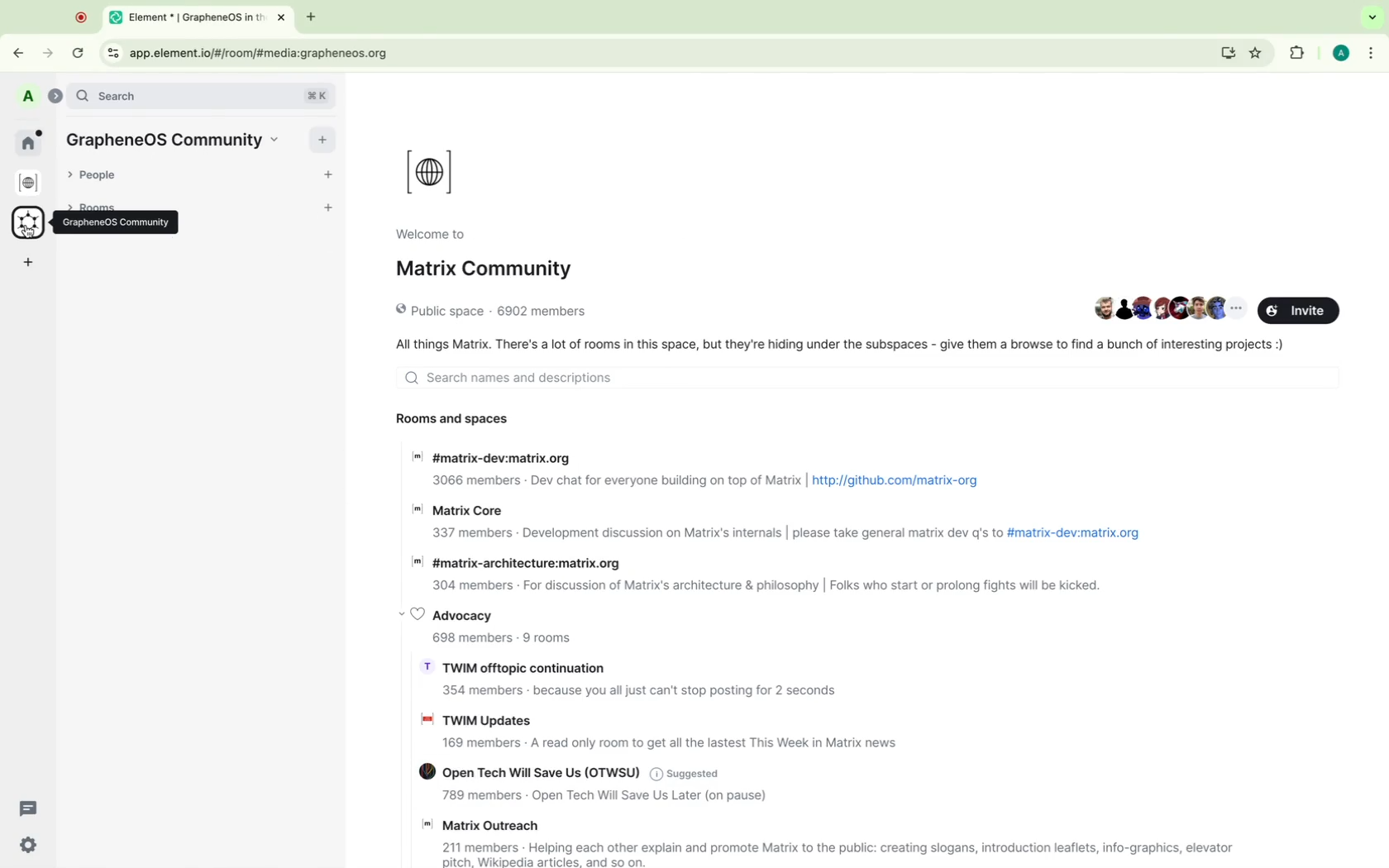  Describe the element at coordinates (462, 508) in the screenshot. I see `Matrix core` at that location.